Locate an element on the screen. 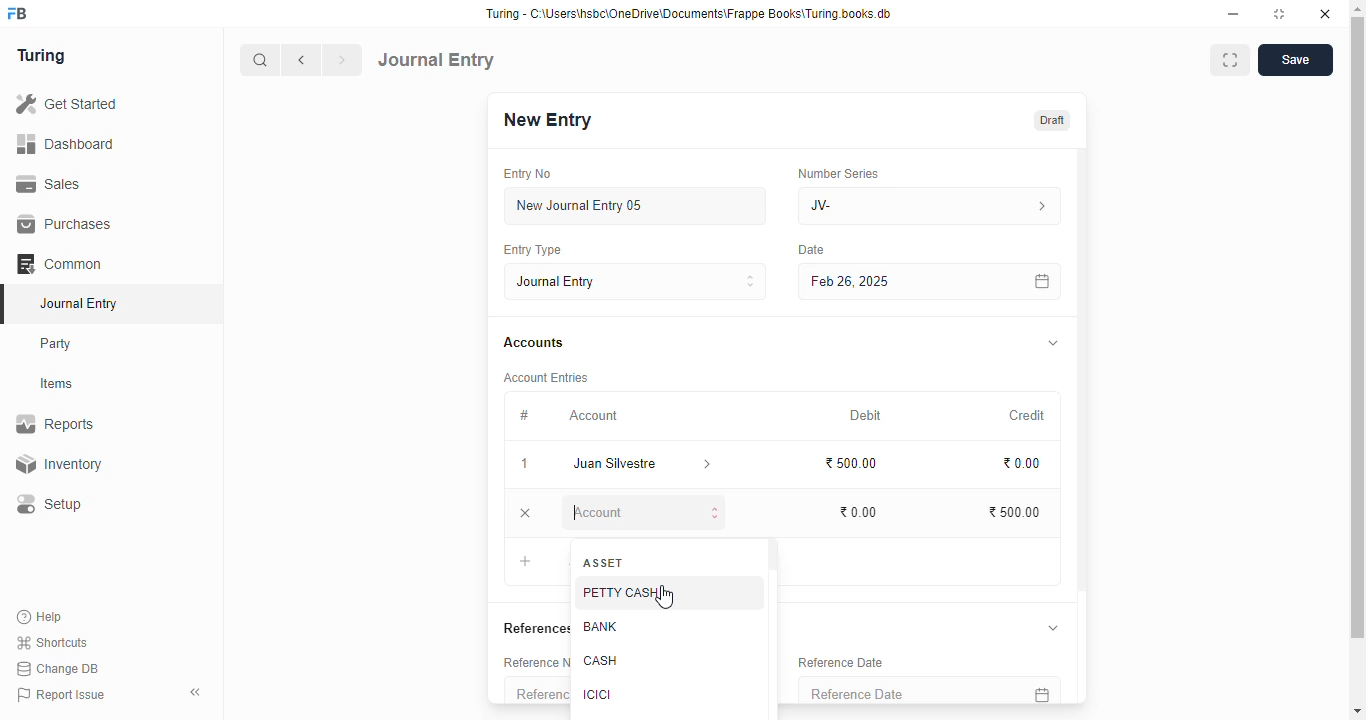 This screenshot has width=1366, height=720. items is located at coordinates (59, 384).